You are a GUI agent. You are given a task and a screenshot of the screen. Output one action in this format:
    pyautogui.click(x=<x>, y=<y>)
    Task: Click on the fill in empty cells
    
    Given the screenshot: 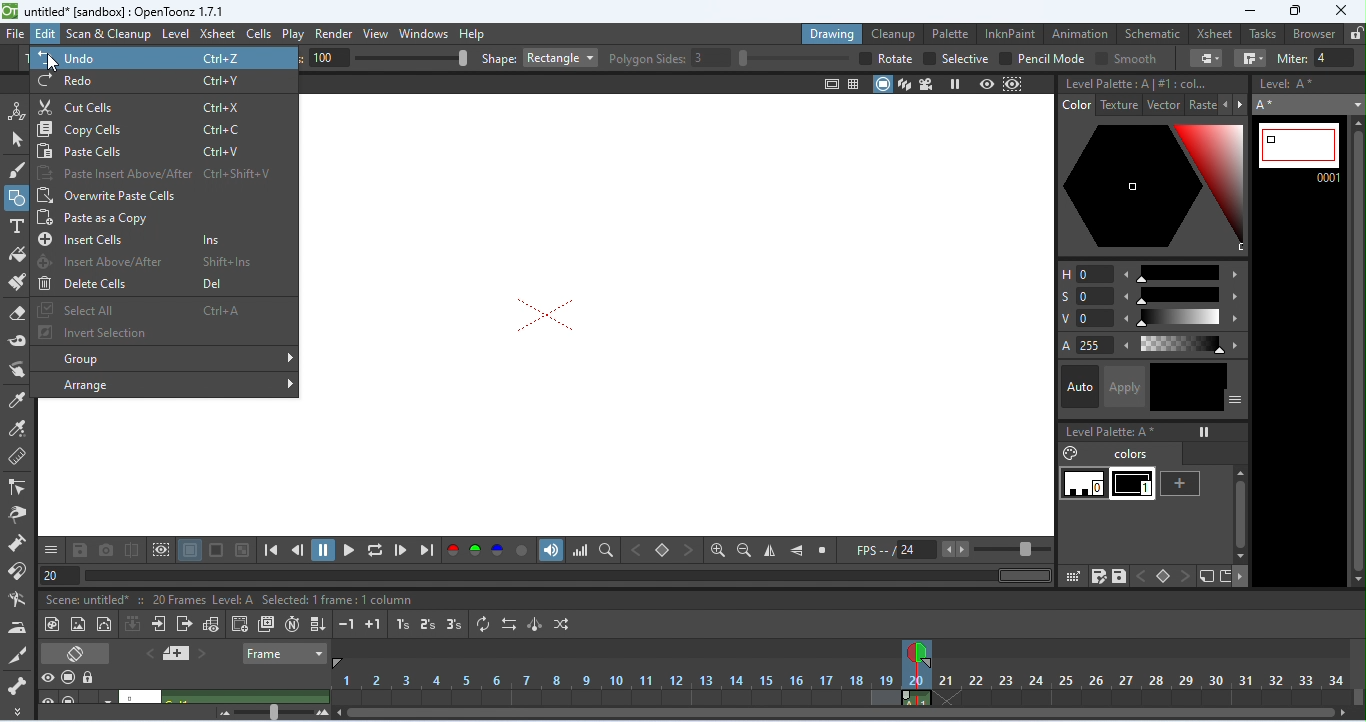 What is the action you would take?
    pyautogui.click(x=319, y=625)
    